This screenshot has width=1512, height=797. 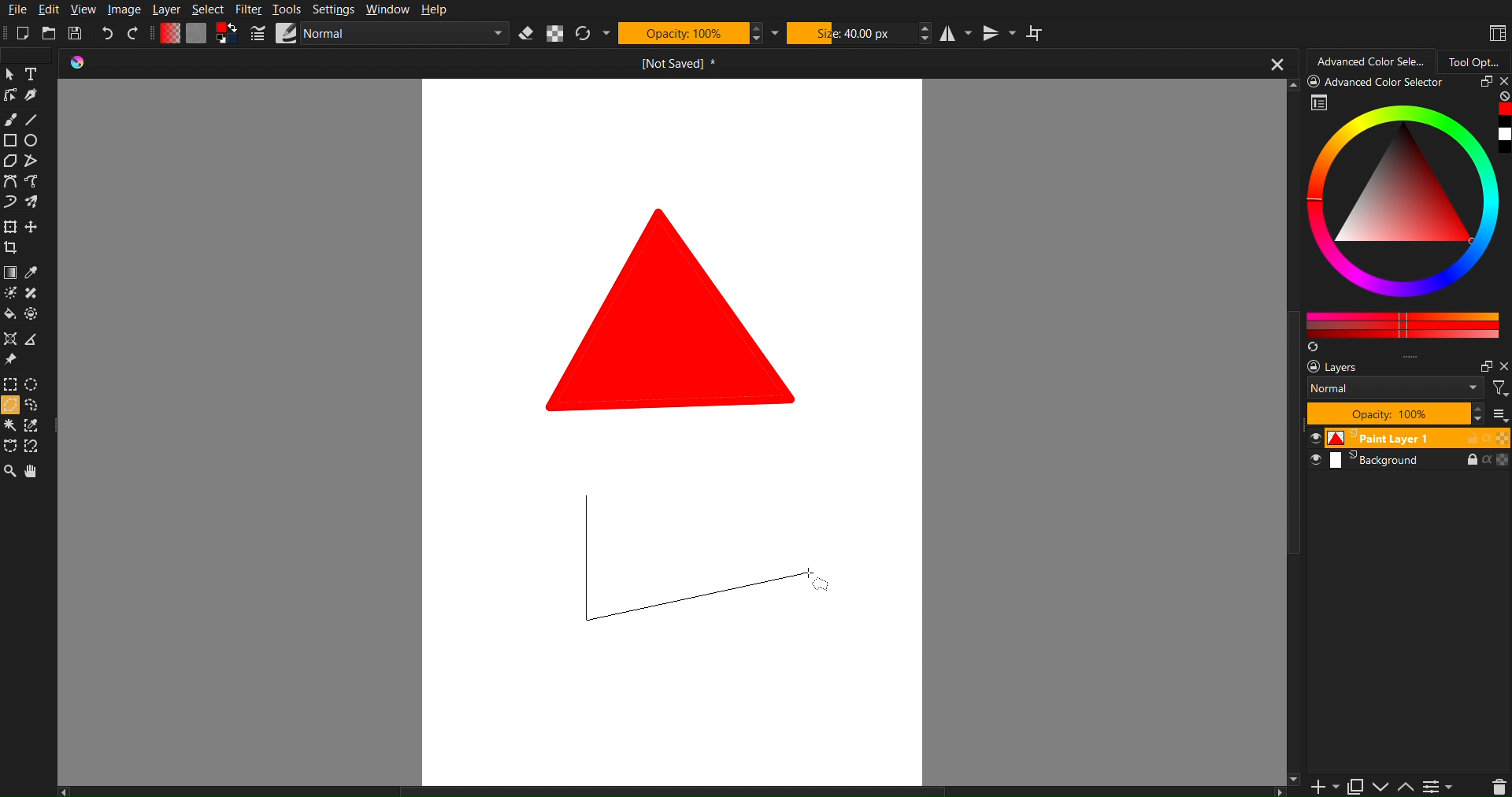 I want to click on Line, so click(x=36, y=120).